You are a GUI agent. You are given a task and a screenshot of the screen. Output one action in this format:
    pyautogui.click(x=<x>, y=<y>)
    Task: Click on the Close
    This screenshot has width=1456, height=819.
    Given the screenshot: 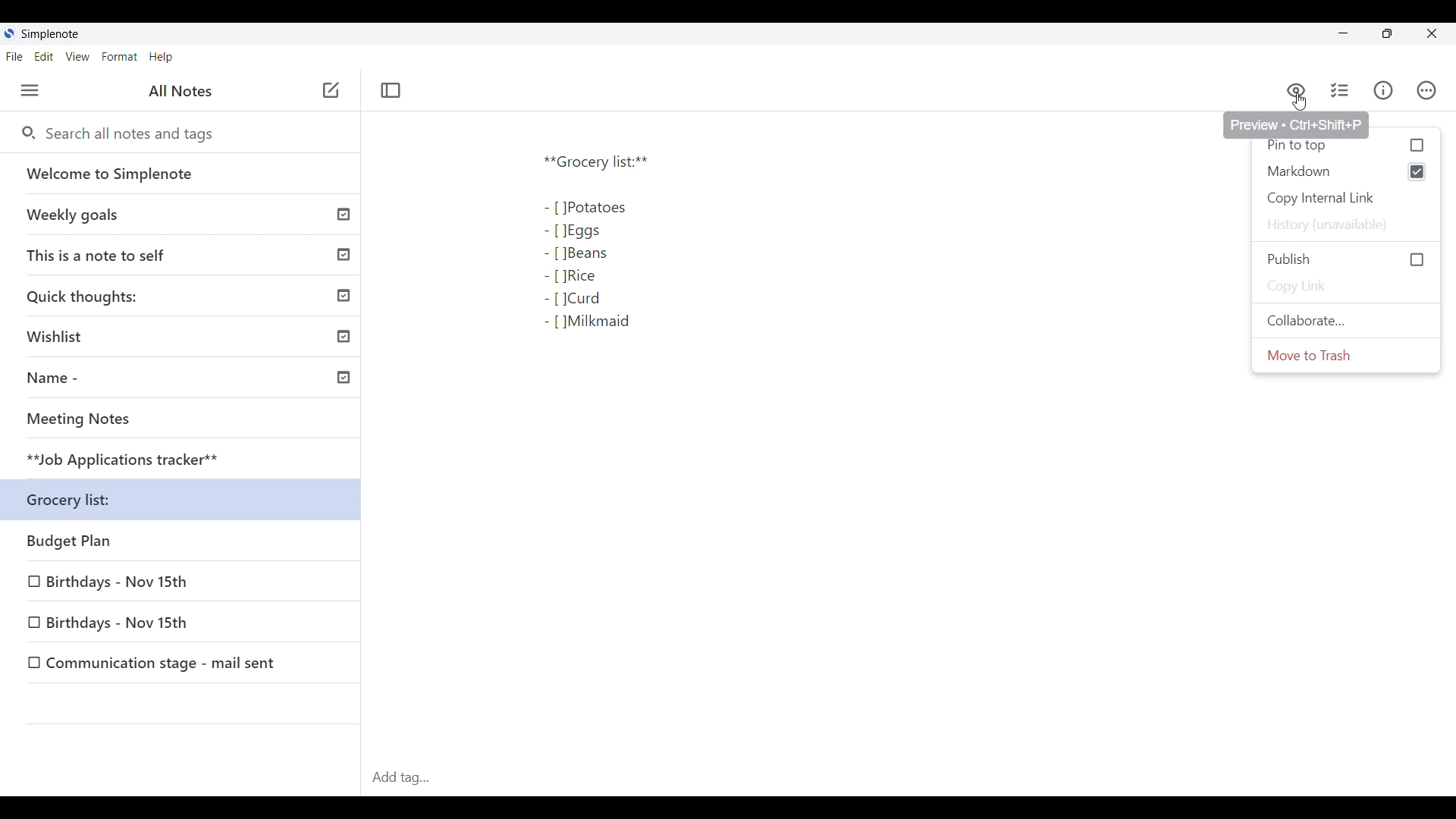 What is the action you would take?
    pyautogui.click(x=1431, y=33)
    